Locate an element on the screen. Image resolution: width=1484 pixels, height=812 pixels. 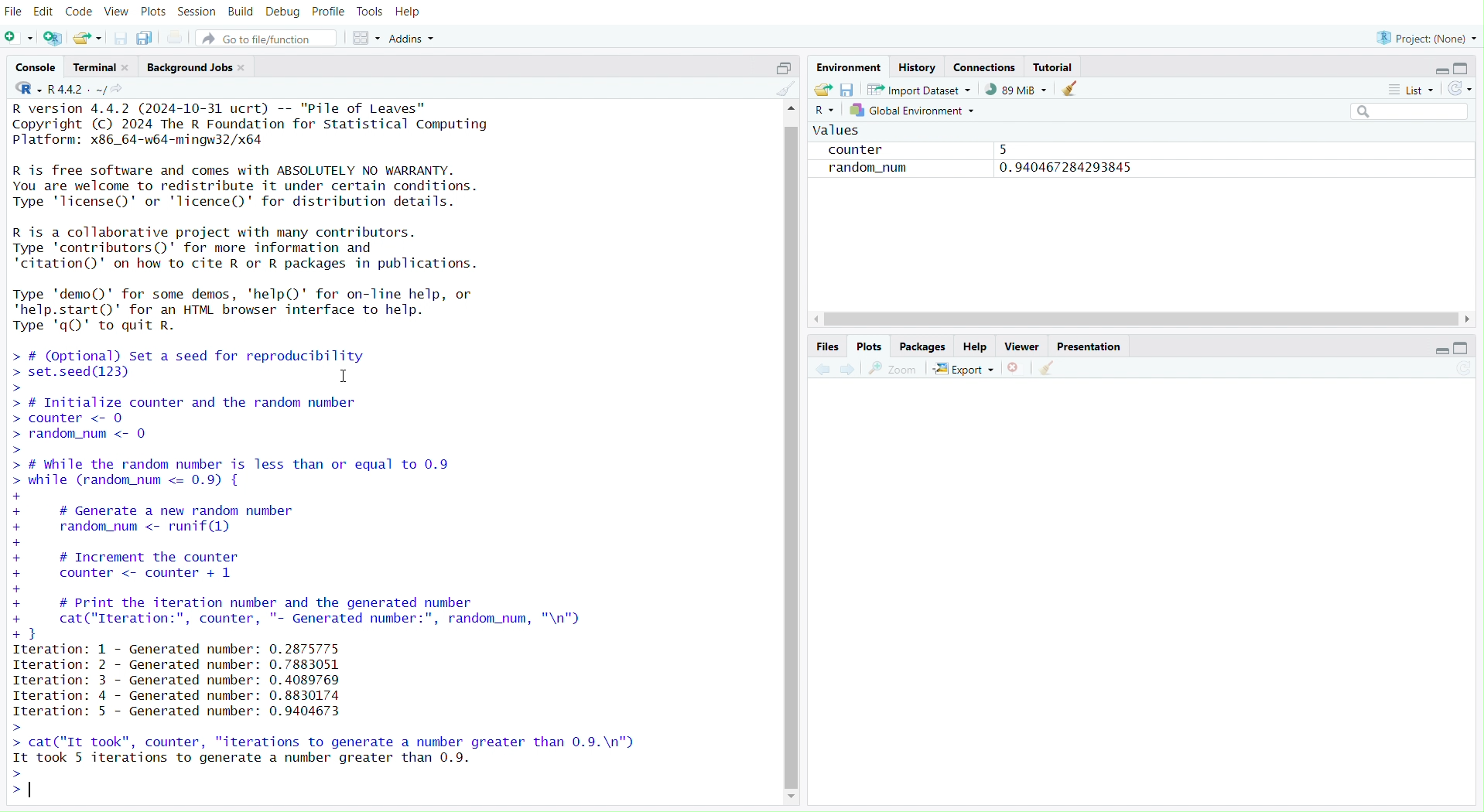
Save current document (Ctrl + S) is located at coordinates (122, 37).